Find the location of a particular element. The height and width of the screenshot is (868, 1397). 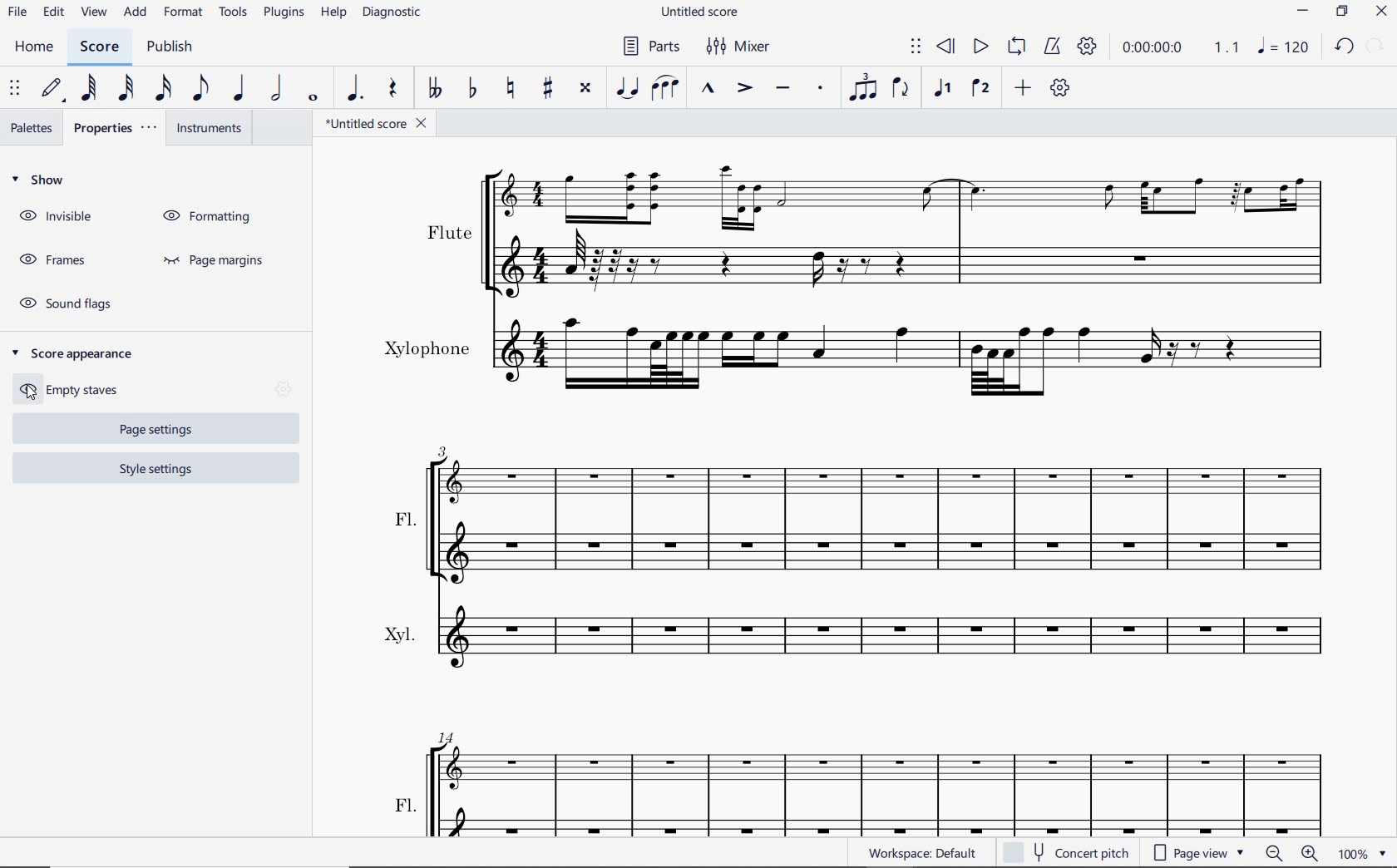

FLIP DIRECTION is located at coordinates (904, 88).